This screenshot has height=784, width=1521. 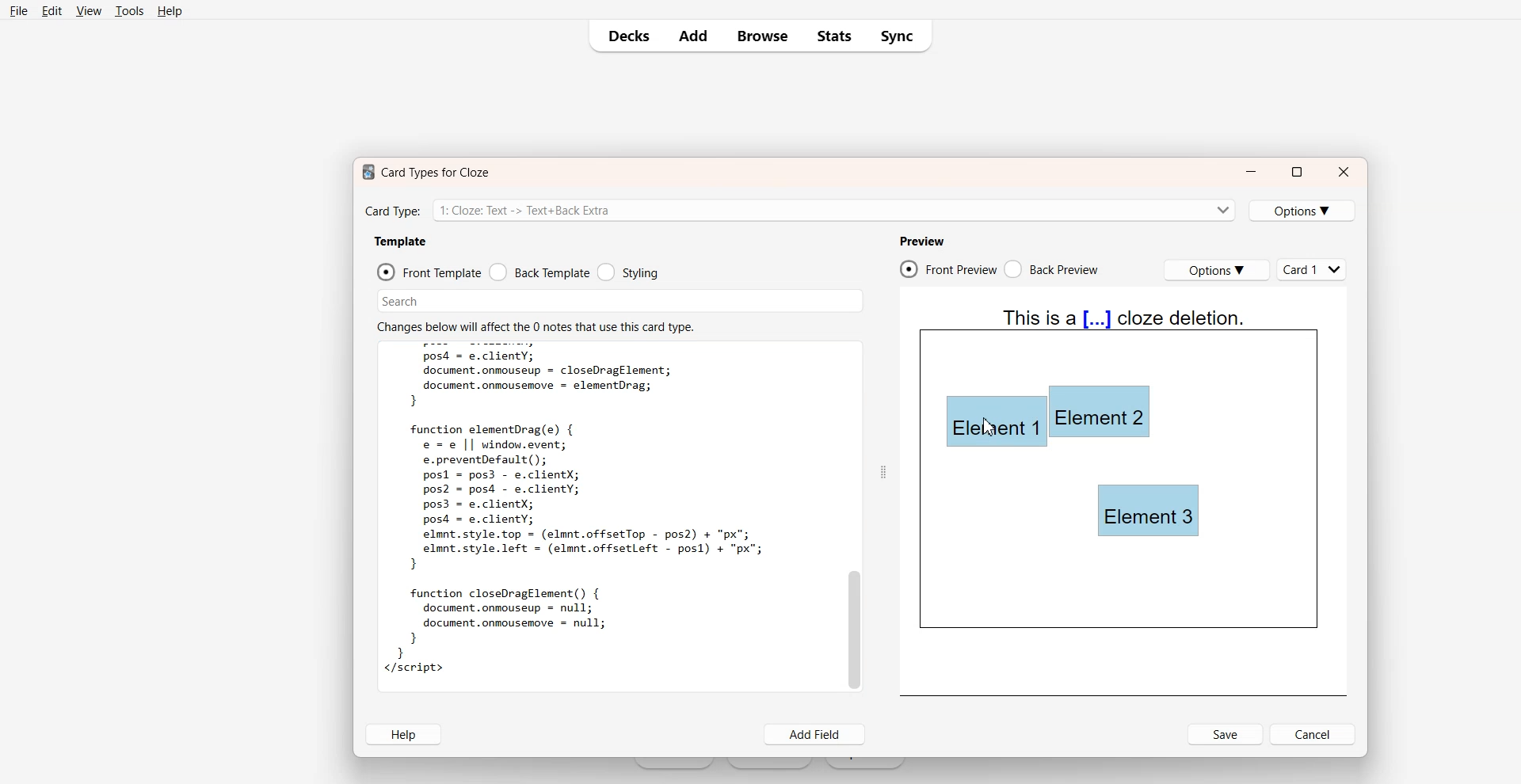 I want to click on Back Template, so click(x=539, y=272).